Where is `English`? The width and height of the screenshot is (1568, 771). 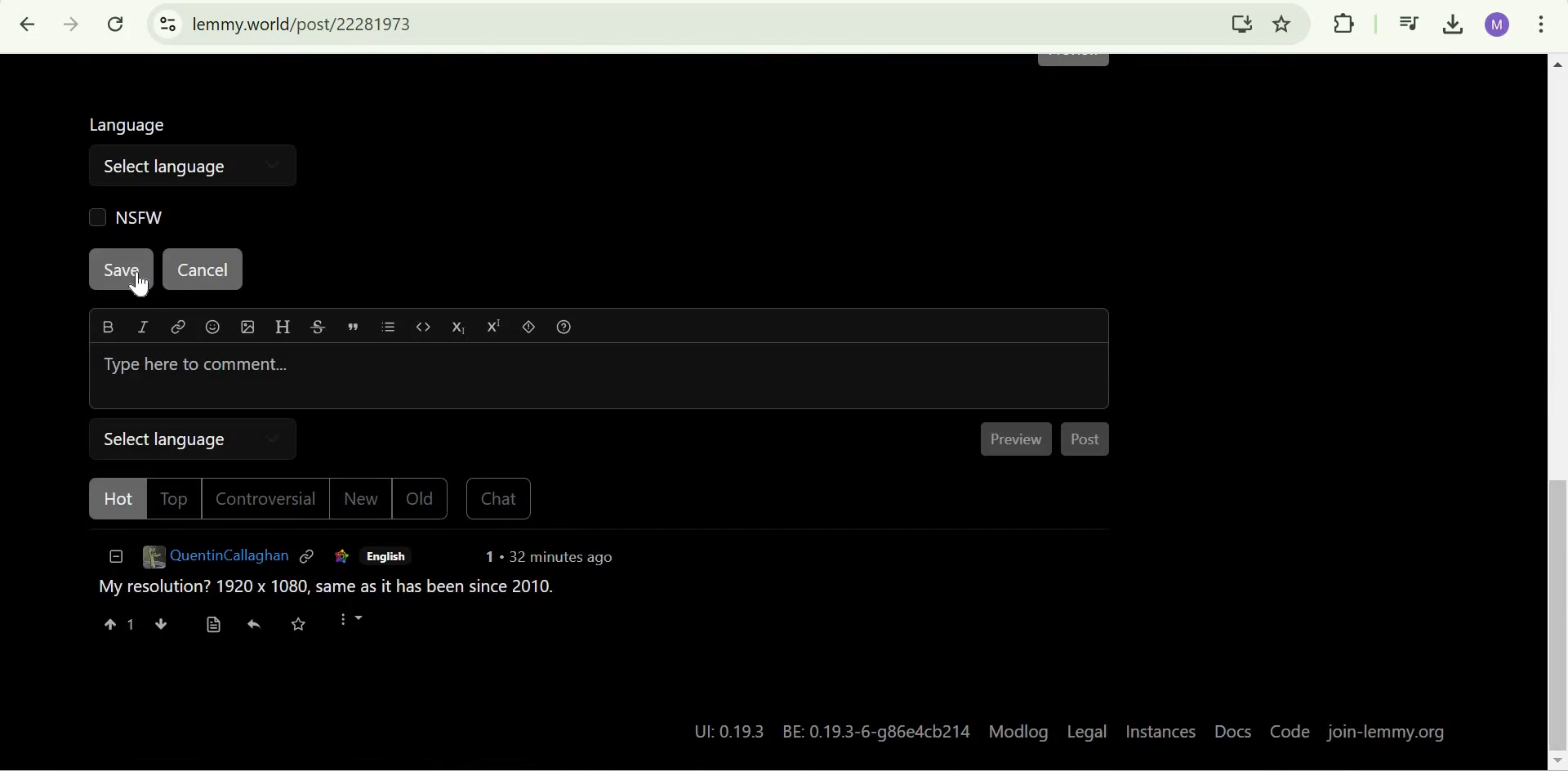
English is located at coordinates (386, 557).